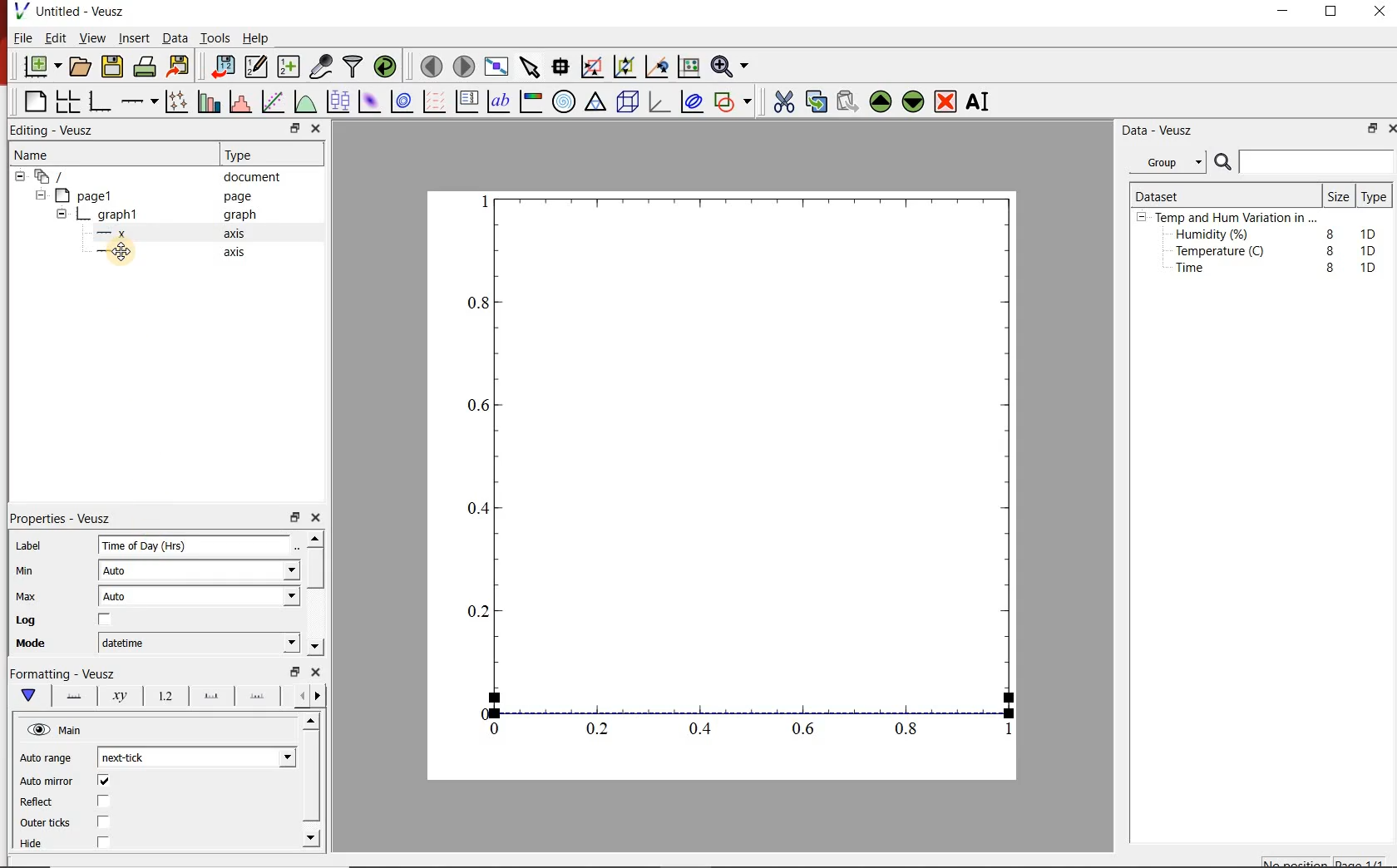  Describe the element at coordinates (370, 102) in the screenshot. I see `plot a 2d dataset as an image` at that location.